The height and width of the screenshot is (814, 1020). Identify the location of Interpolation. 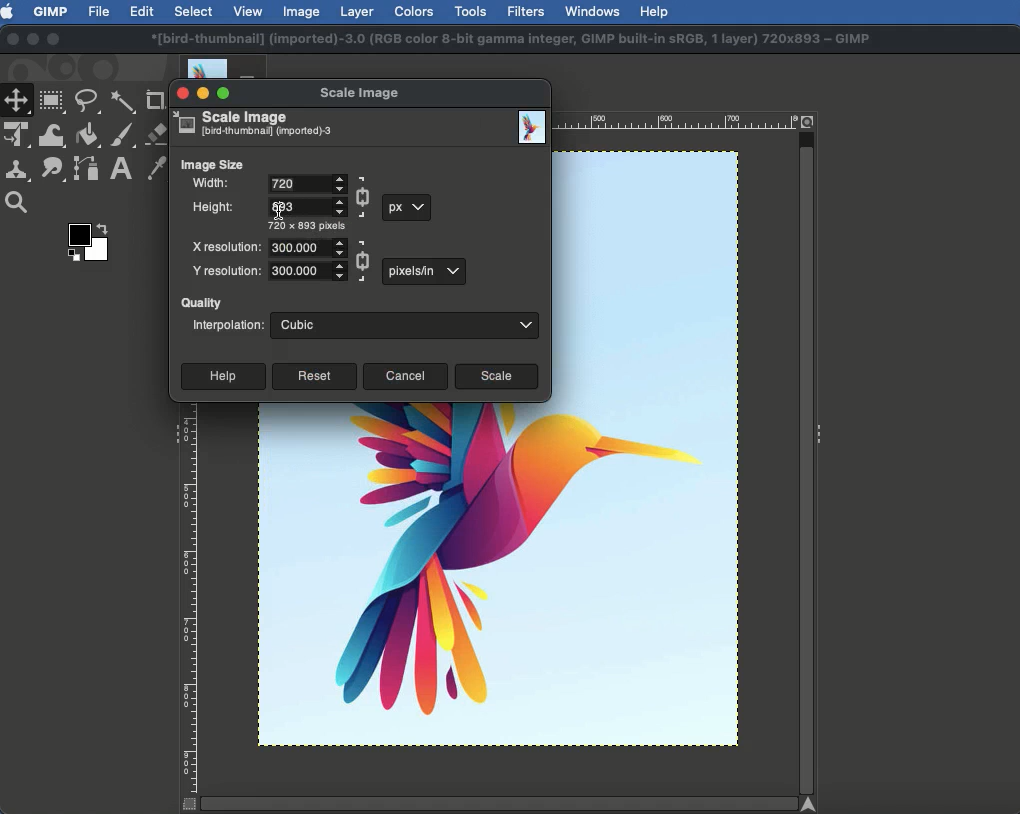
(223, 327).